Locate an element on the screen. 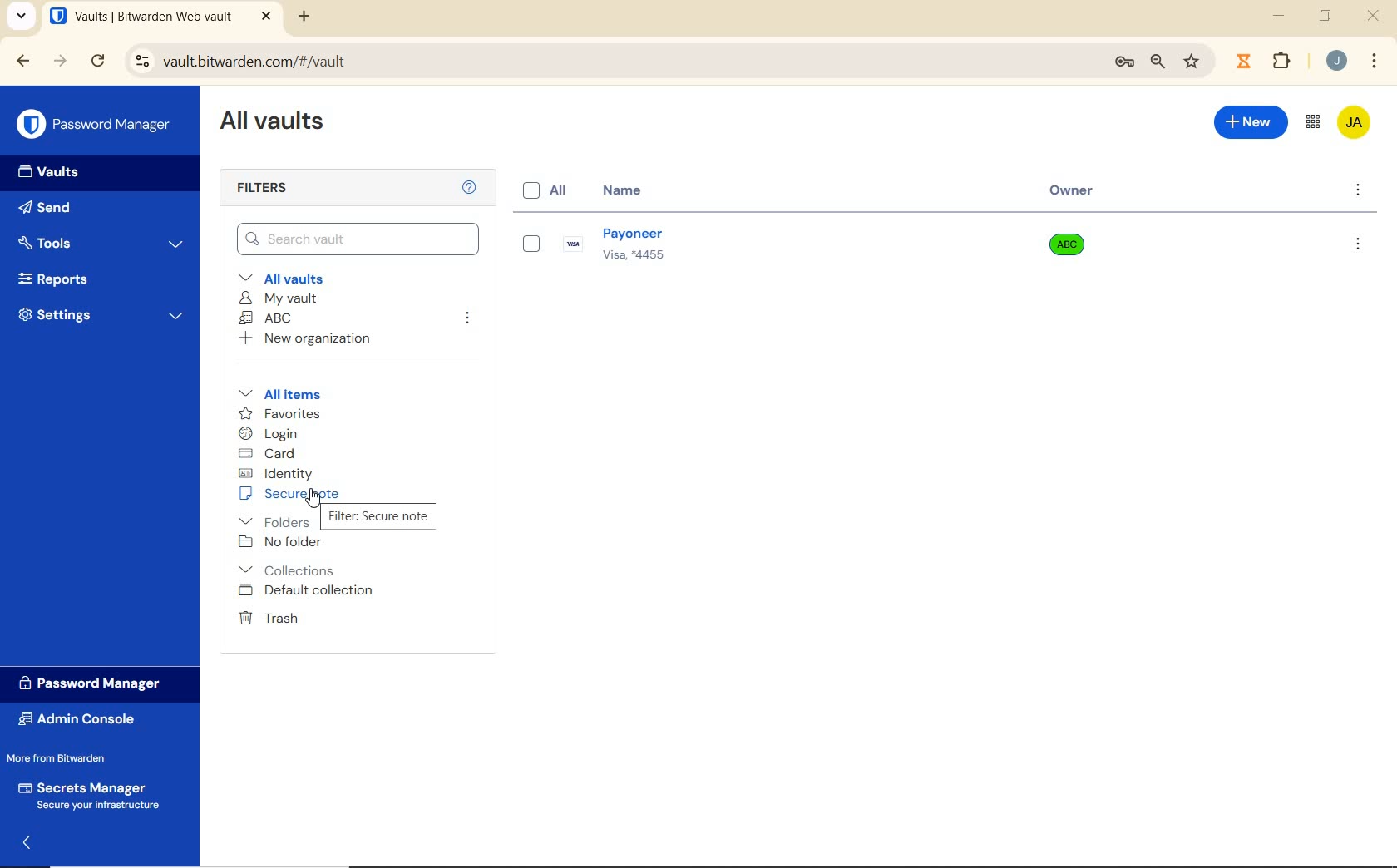 Image resolution: width=1397 pixels, height=868 pixels. Owner Name is located at coordinates (1071, 248).